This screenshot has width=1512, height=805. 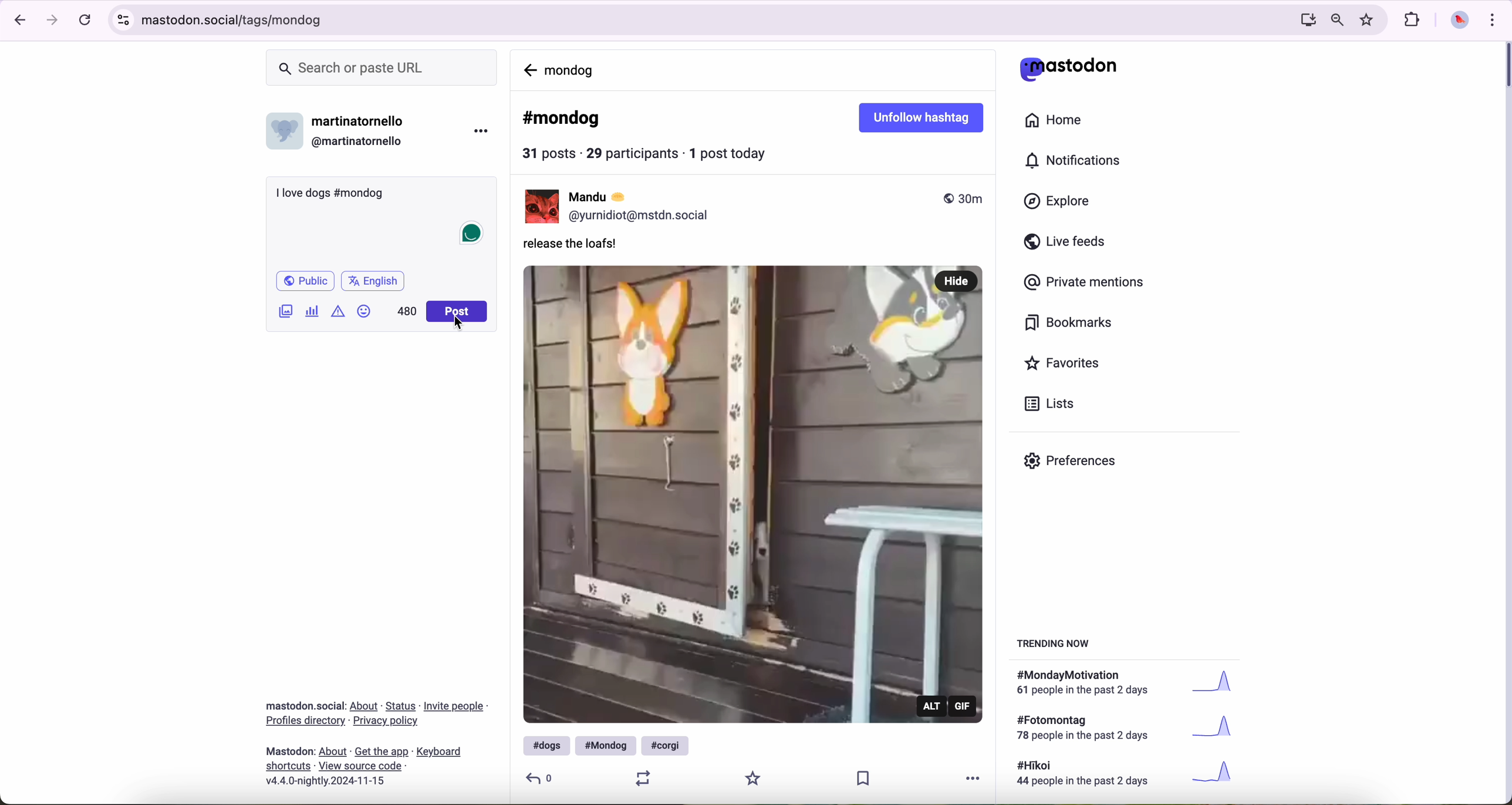 I want to click on screen, so click(x=1305, y=21).